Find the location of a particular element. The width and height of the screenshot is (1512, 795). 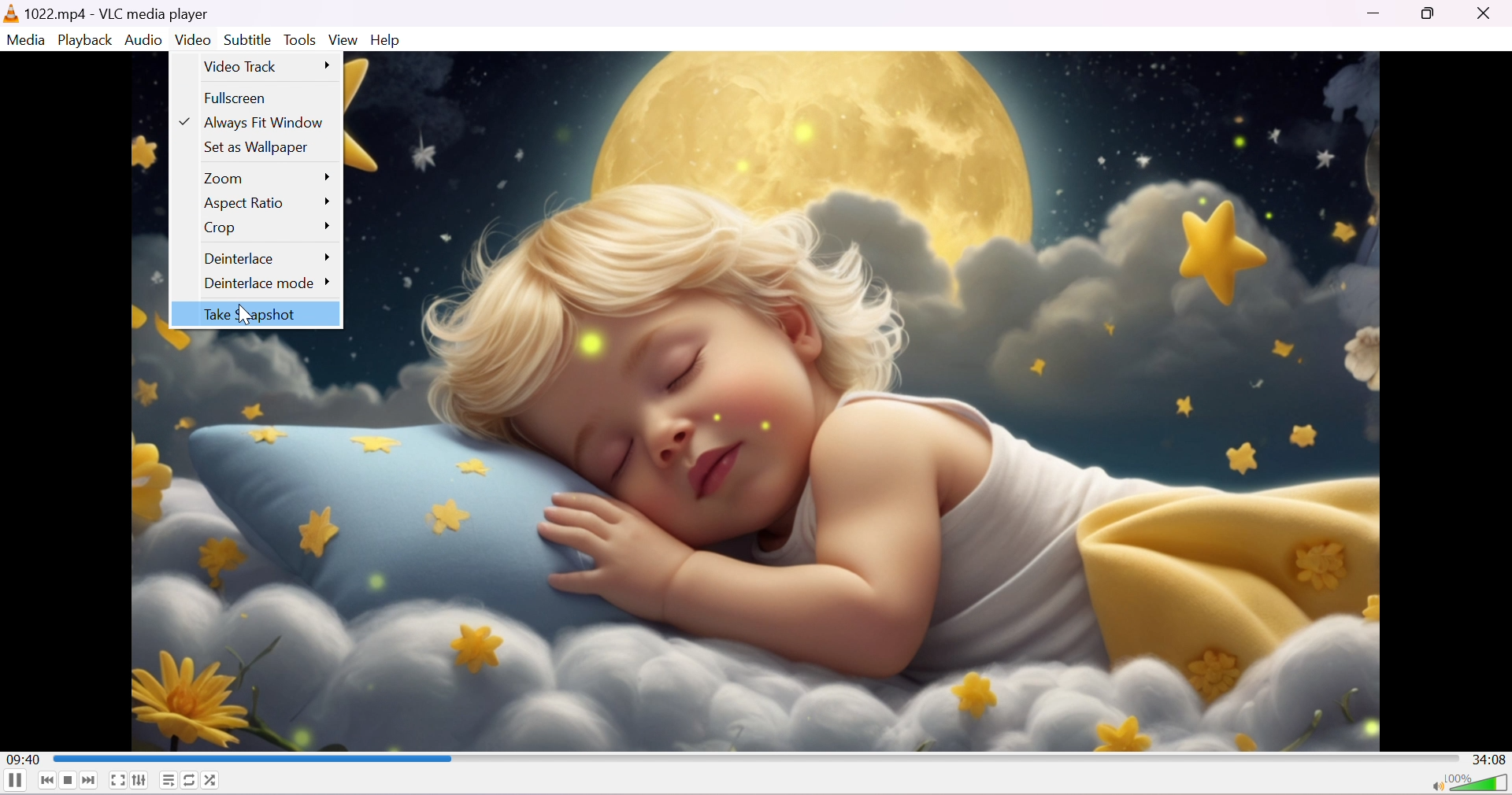

Media is located at coordinates (28, 40).